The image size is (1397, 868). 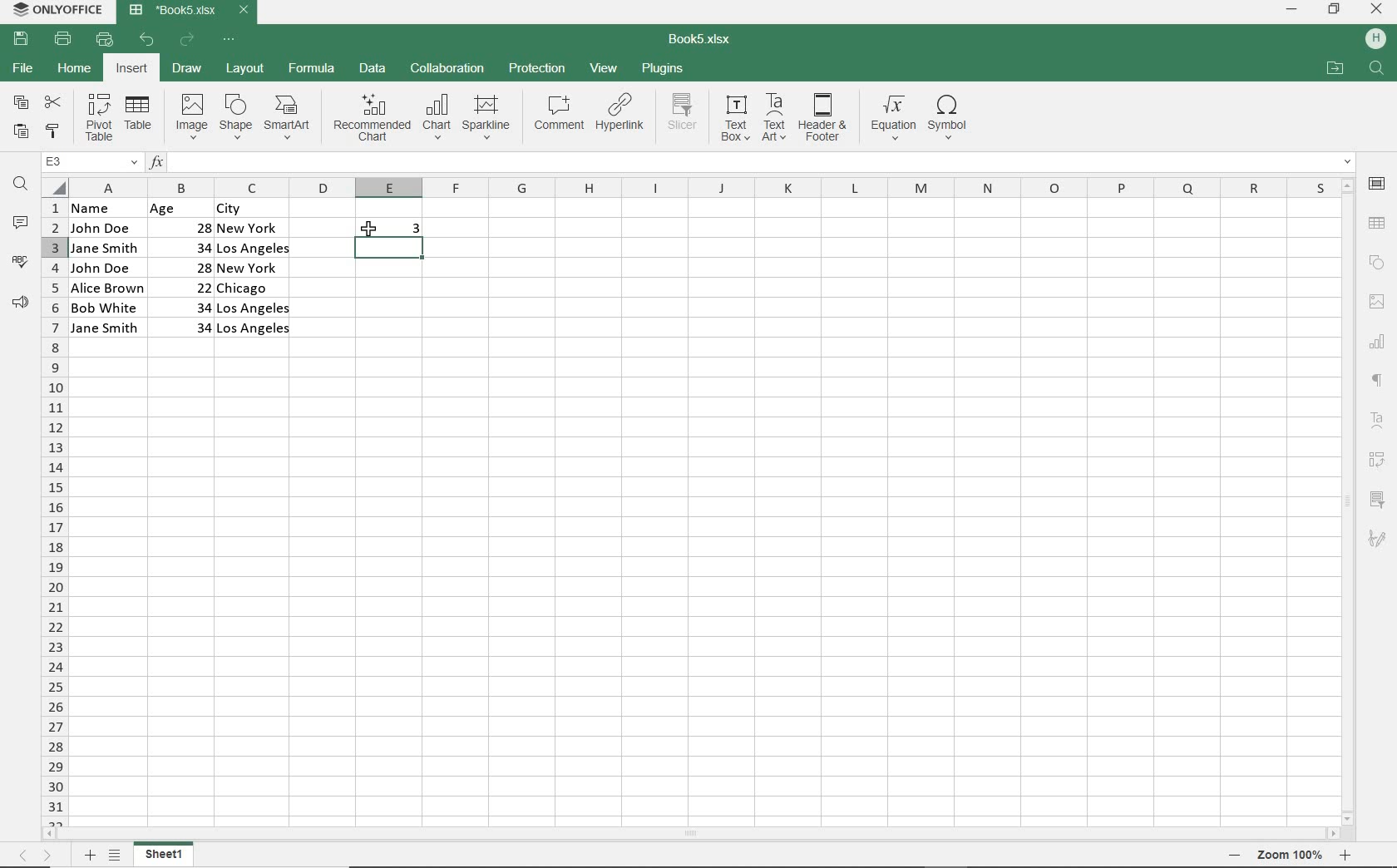 I want to click on CITY, so click(x=254, y=209).